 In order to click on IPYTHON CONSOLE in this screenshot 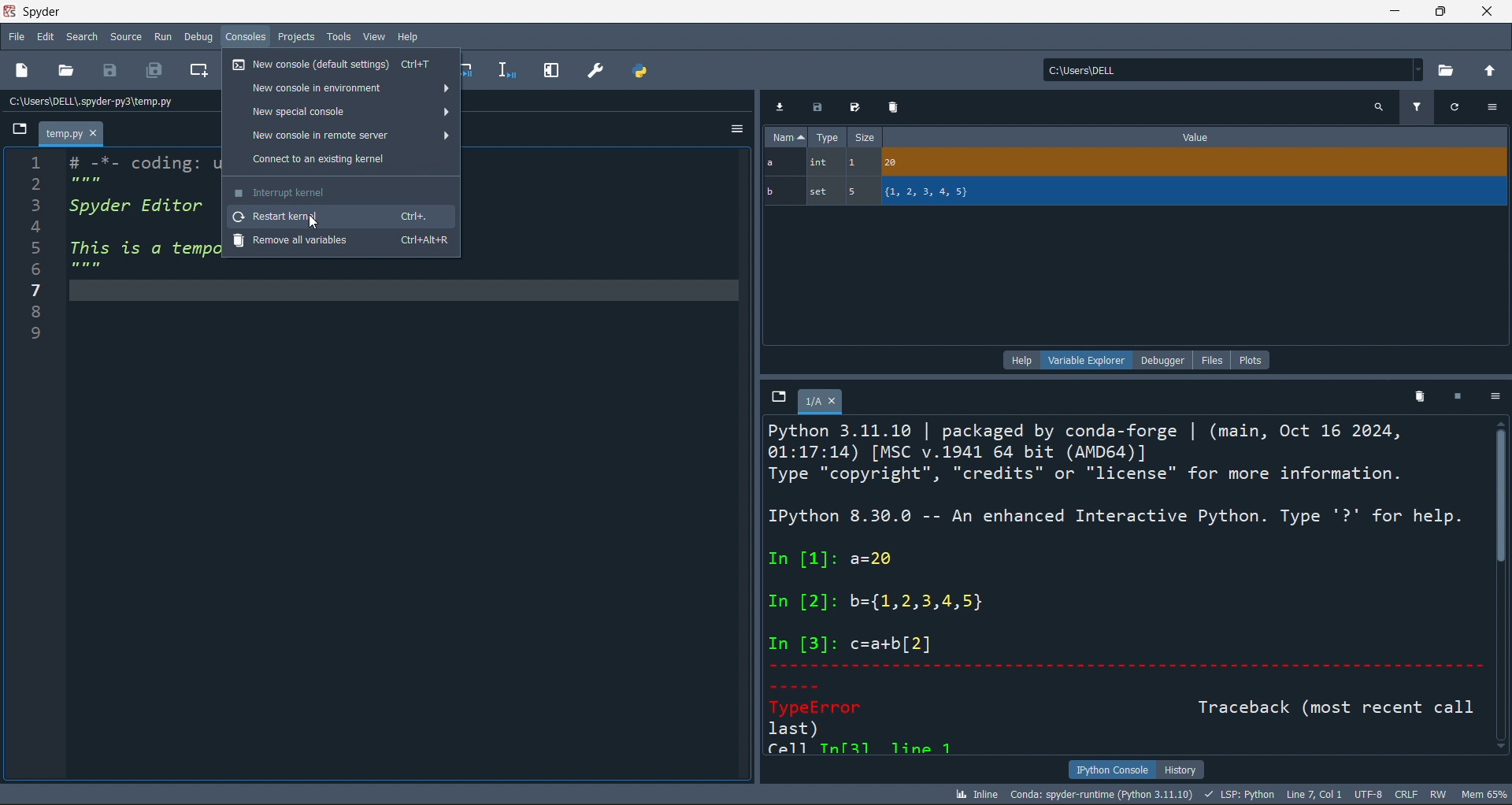, I will do `click(1111, 768)`.